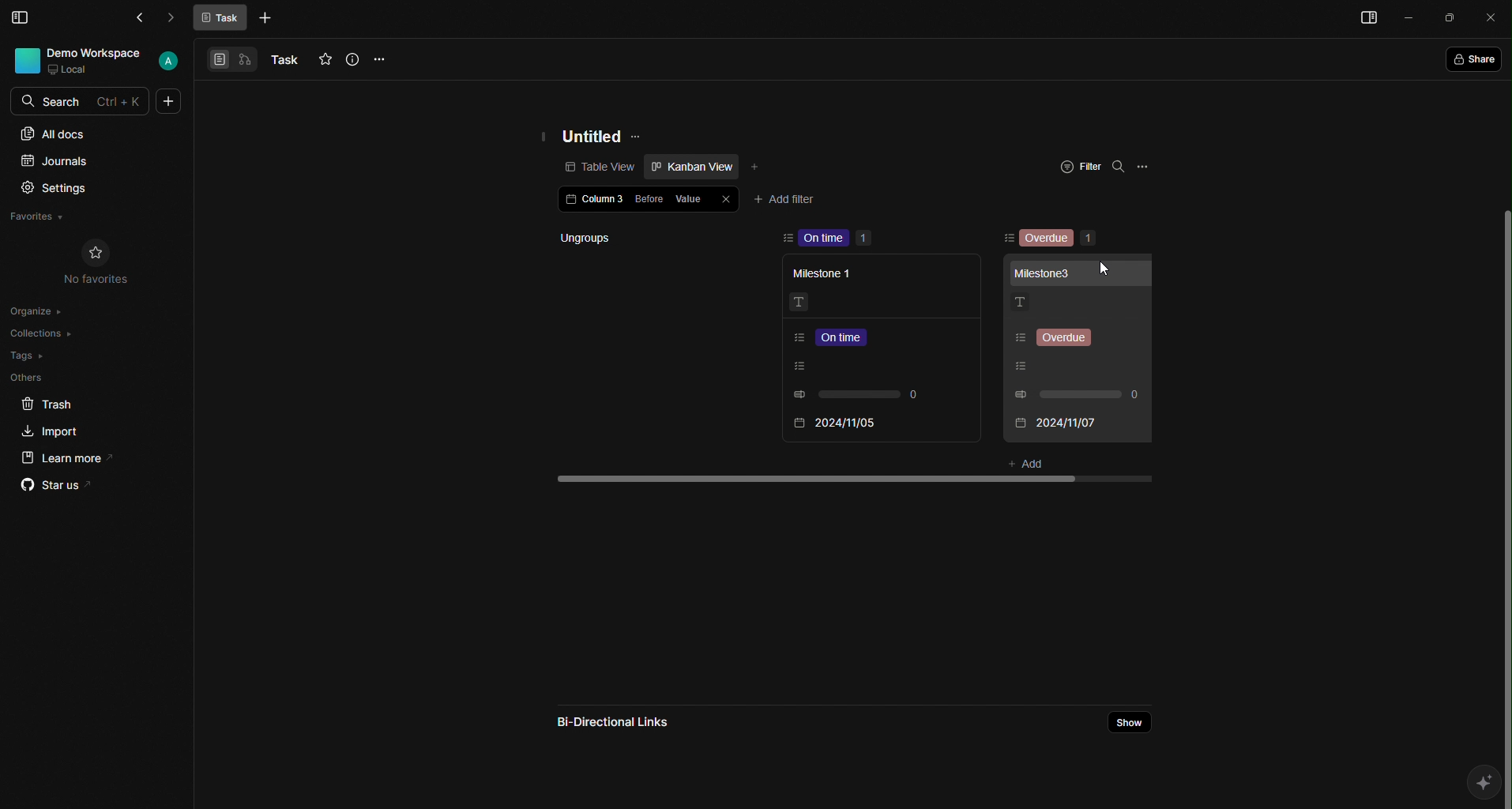 The height and width of the screenshot is (809, 1512). Describe the element at coordinates (1107, 269) in the screenshot. I see `Cursor` at that location.